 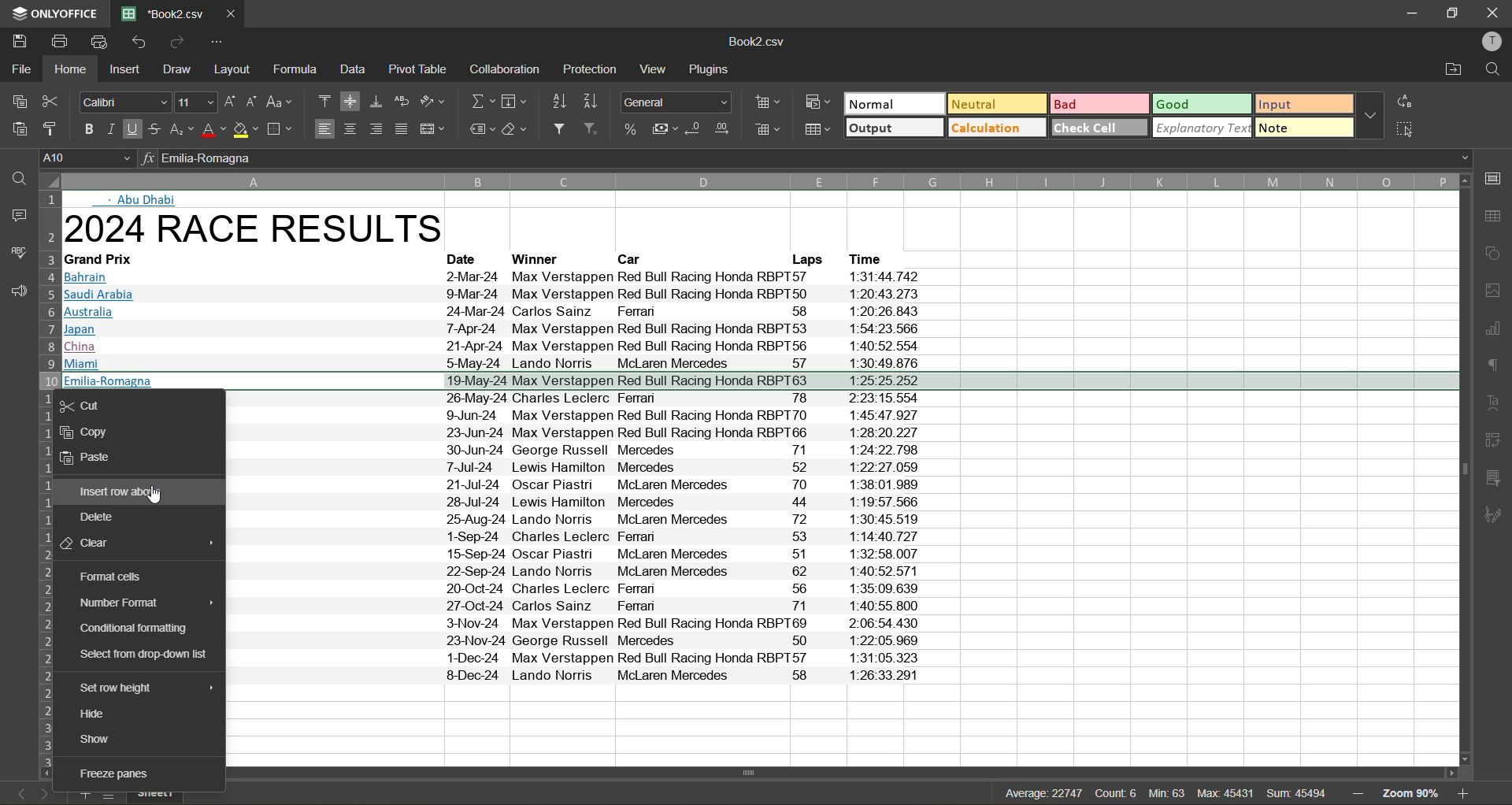 I want to click on formula, so click(x=294, y=72).